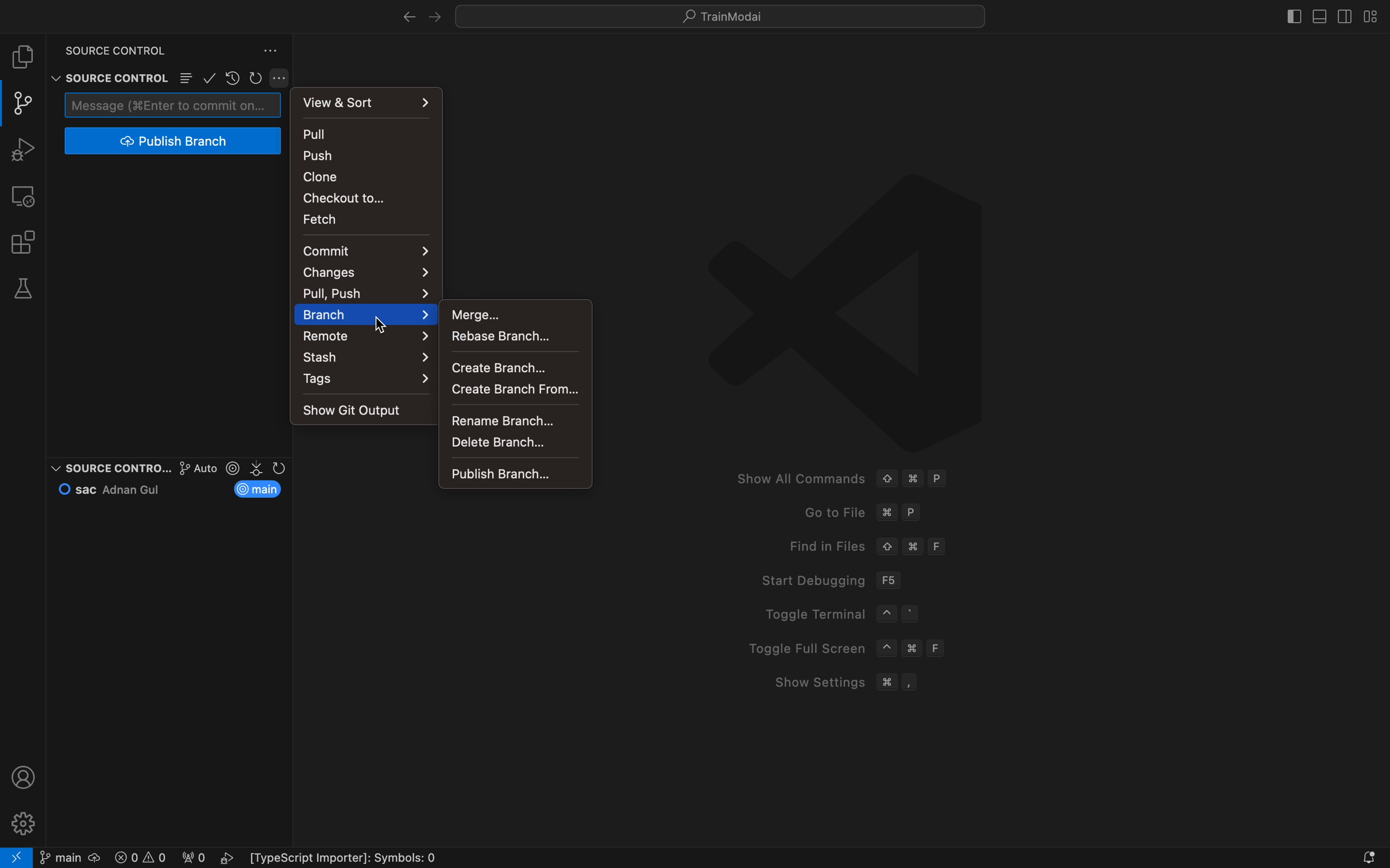 The image size is (1390, 868). What do you see at coordinates (186, 79) in the screenshot?
I see `` at bounding box center [186, 79].